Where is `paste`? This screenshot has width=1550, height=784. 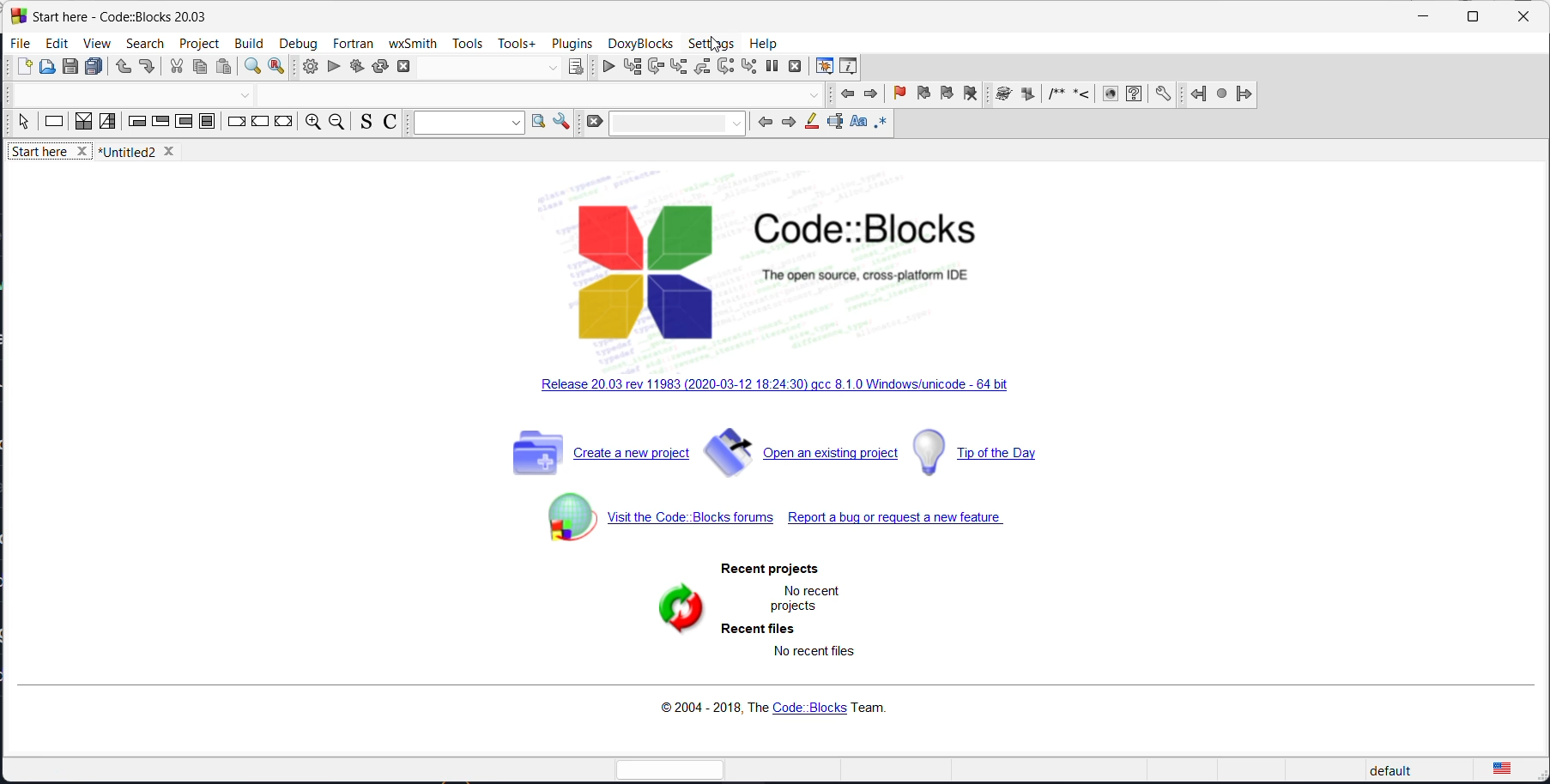 paste is located at coordinates (227, 68).